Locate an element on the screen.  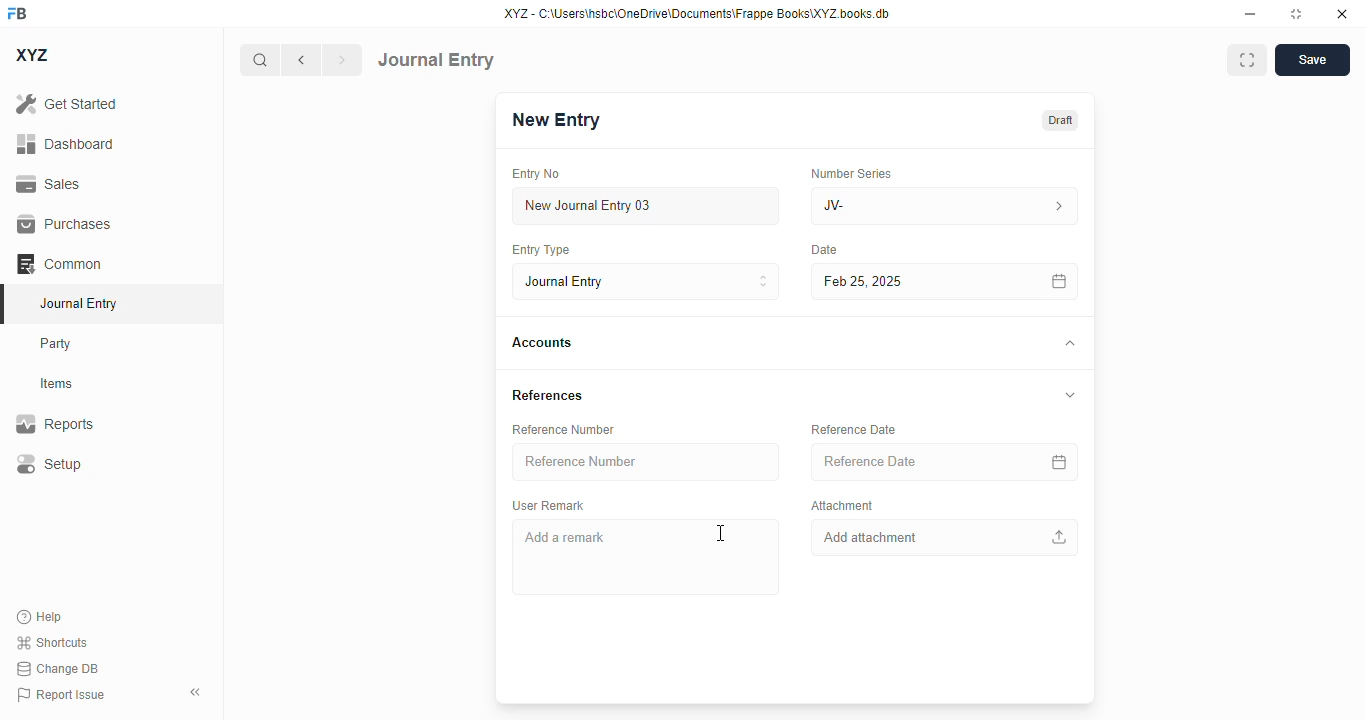
save is located at coordinates (1313, 60).